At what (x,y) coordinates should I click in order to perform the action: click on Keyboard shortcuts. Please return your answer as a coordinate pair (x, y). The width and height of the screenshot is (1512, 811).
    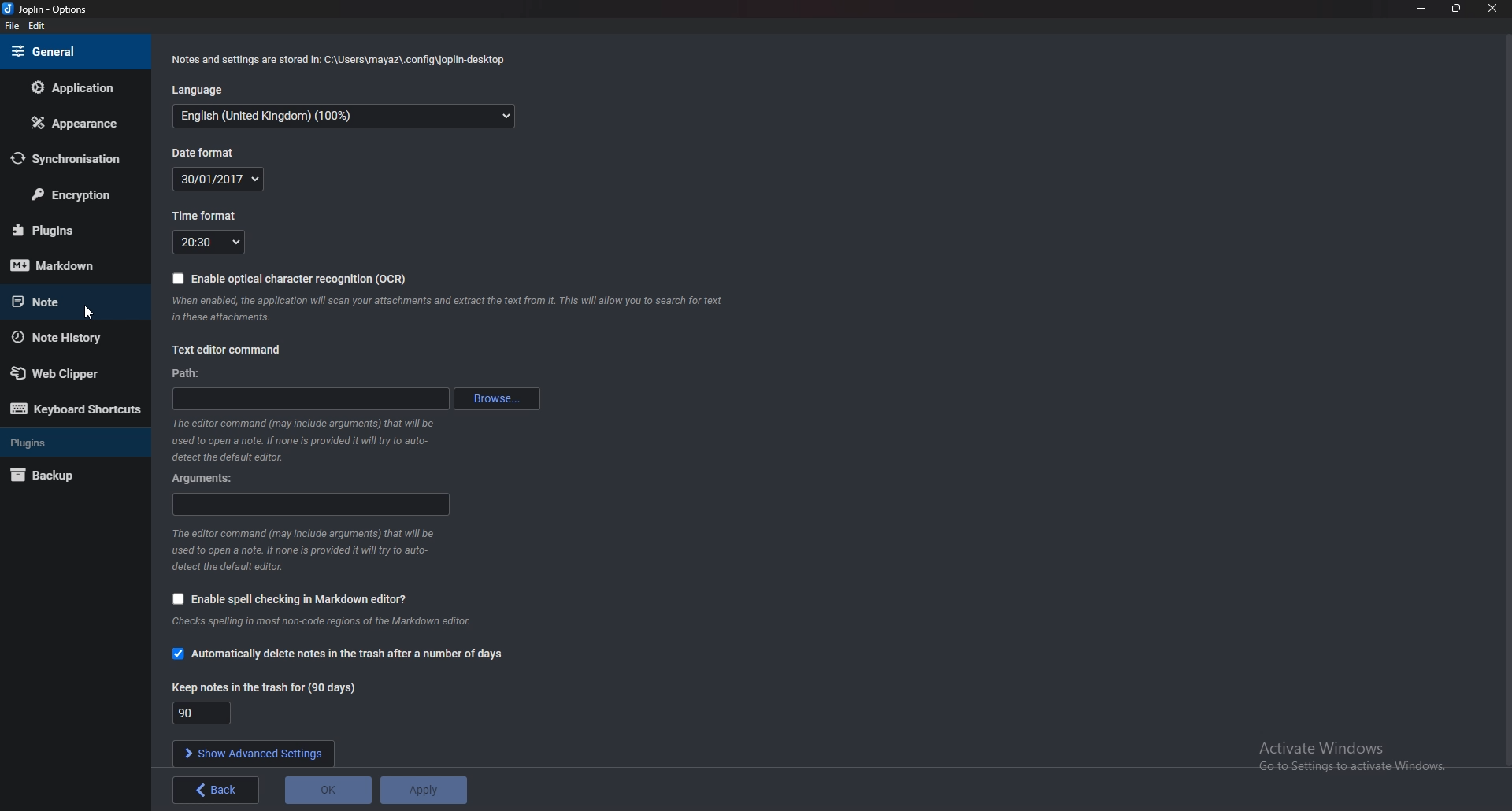
    Looking at the image, I should click on (76, 412).